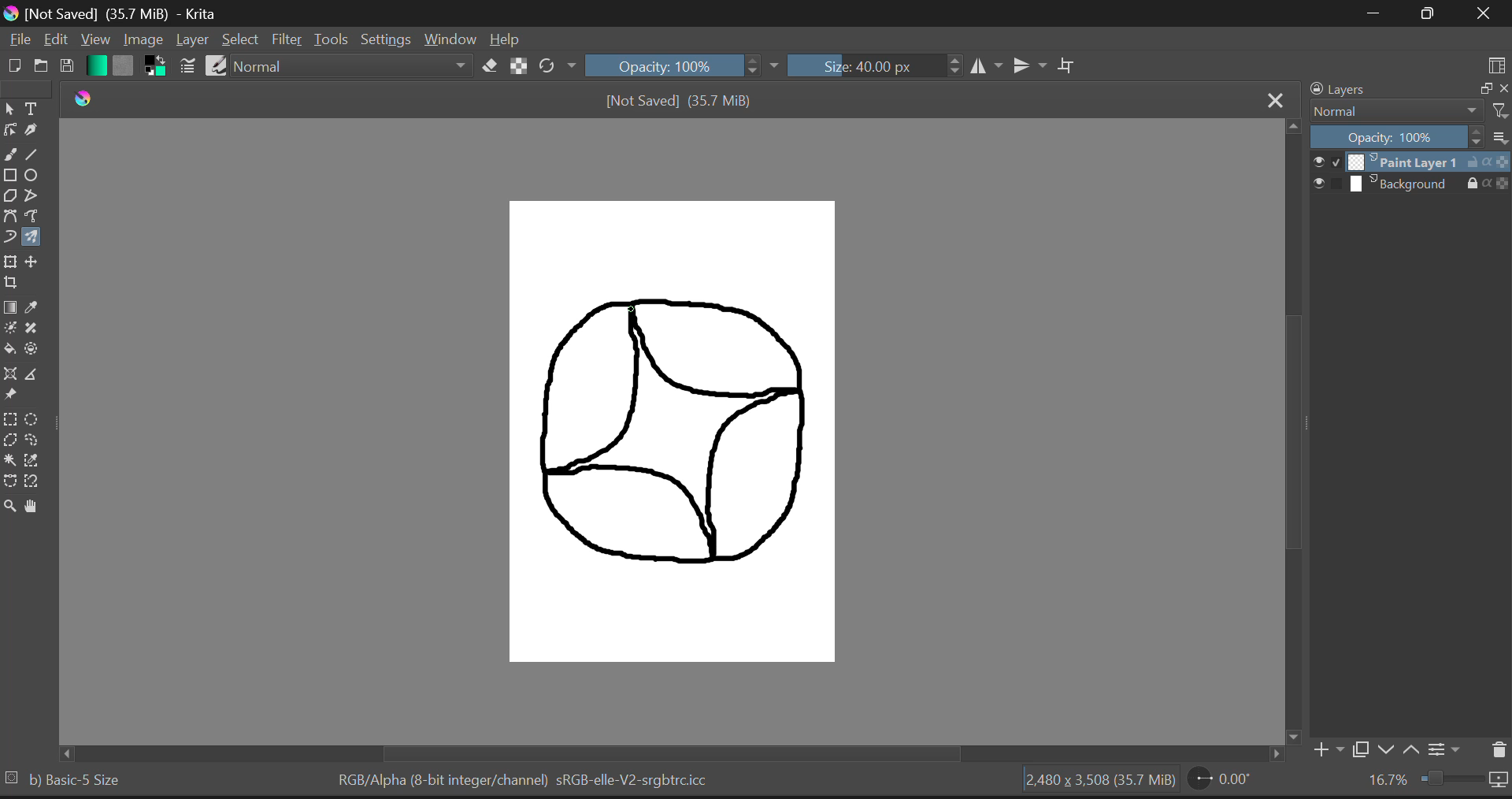 This screenshot has height=799, width=1512. I want to click on Eyedropper, so click(39, 304).